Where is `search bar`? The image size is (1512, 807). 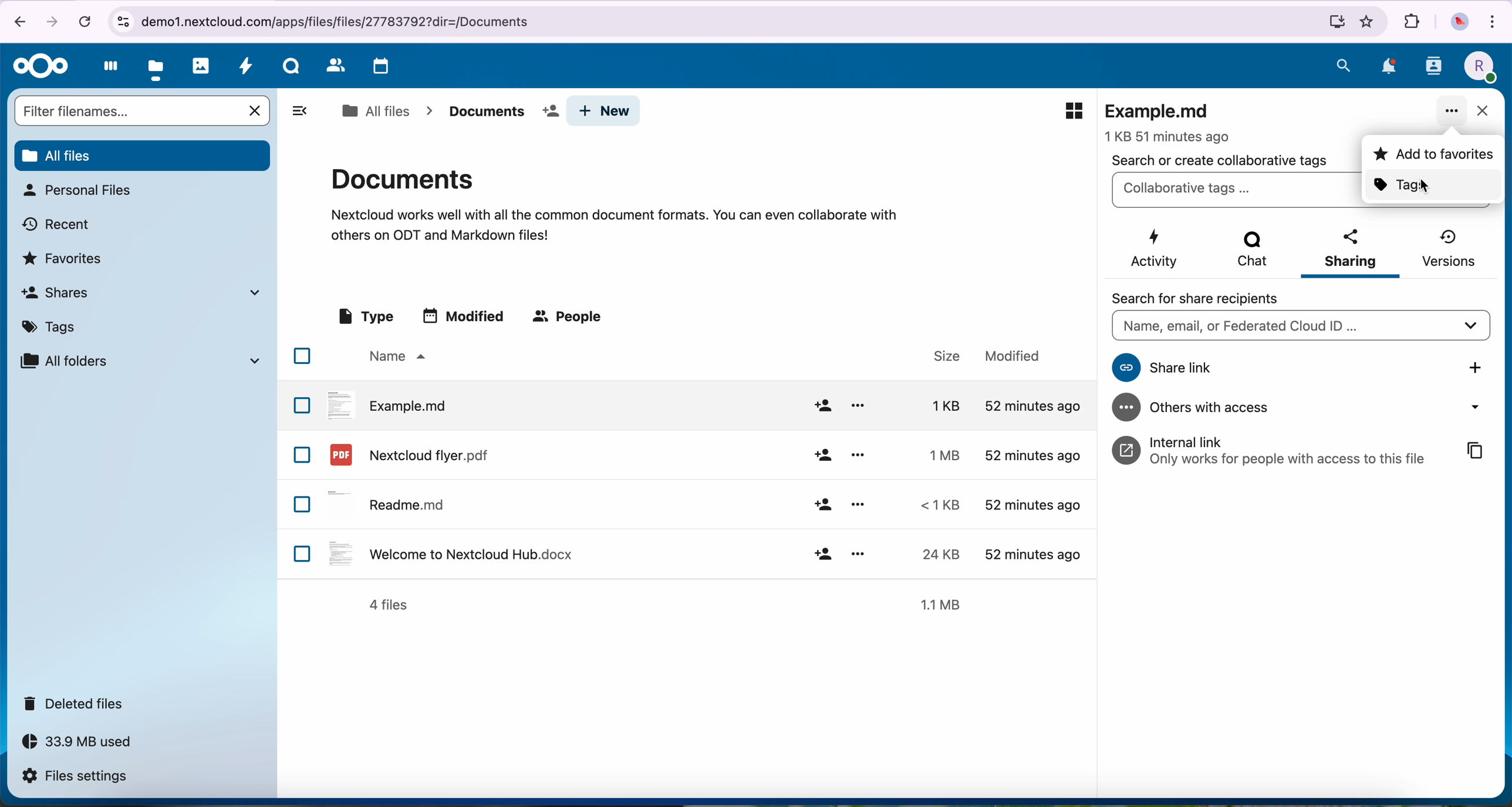 search bar is located at coordinates (1300, 327).